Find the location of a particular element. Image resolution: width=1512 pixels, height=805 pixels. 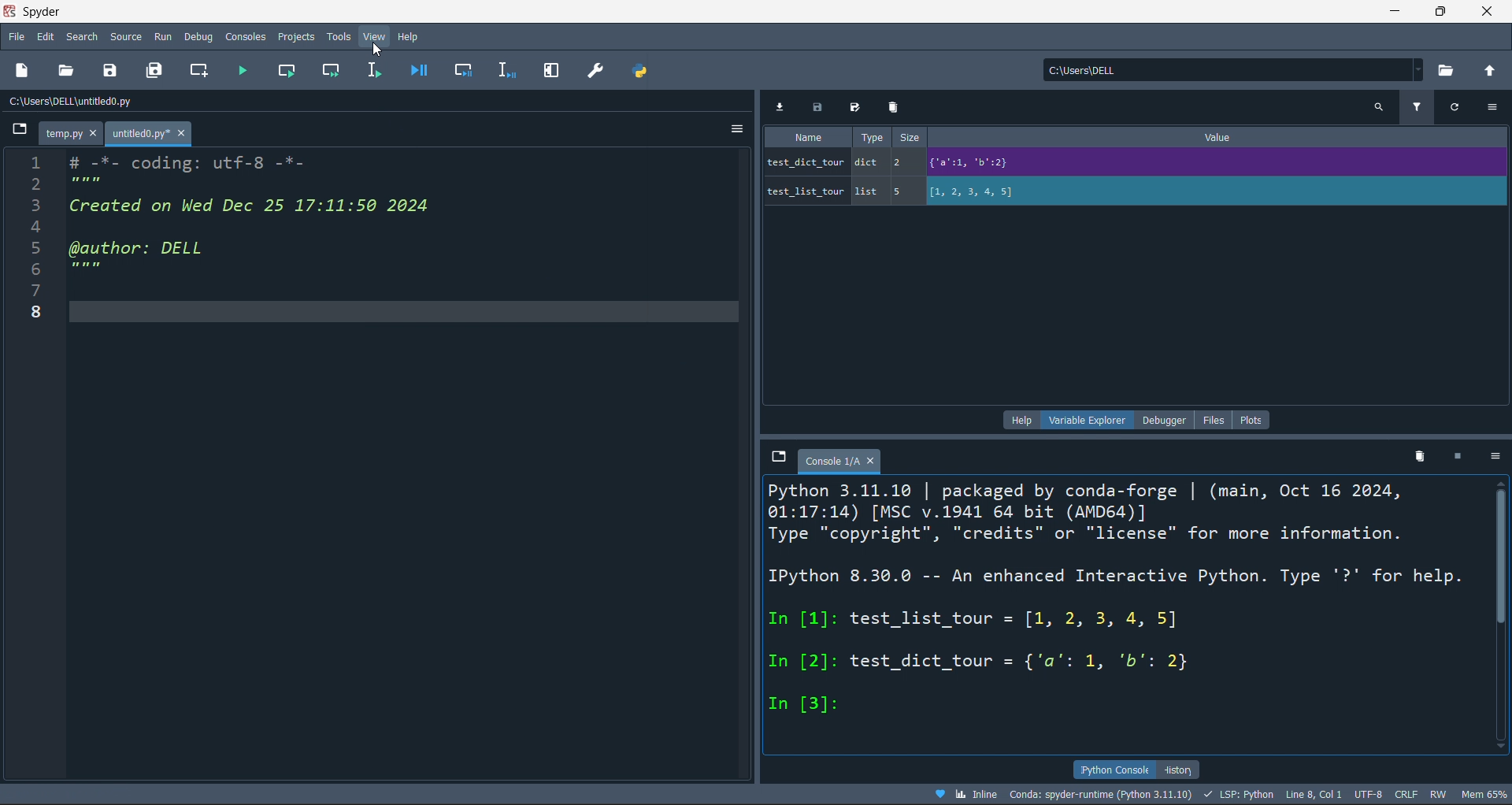

close is located at coordinates (1484, 11).